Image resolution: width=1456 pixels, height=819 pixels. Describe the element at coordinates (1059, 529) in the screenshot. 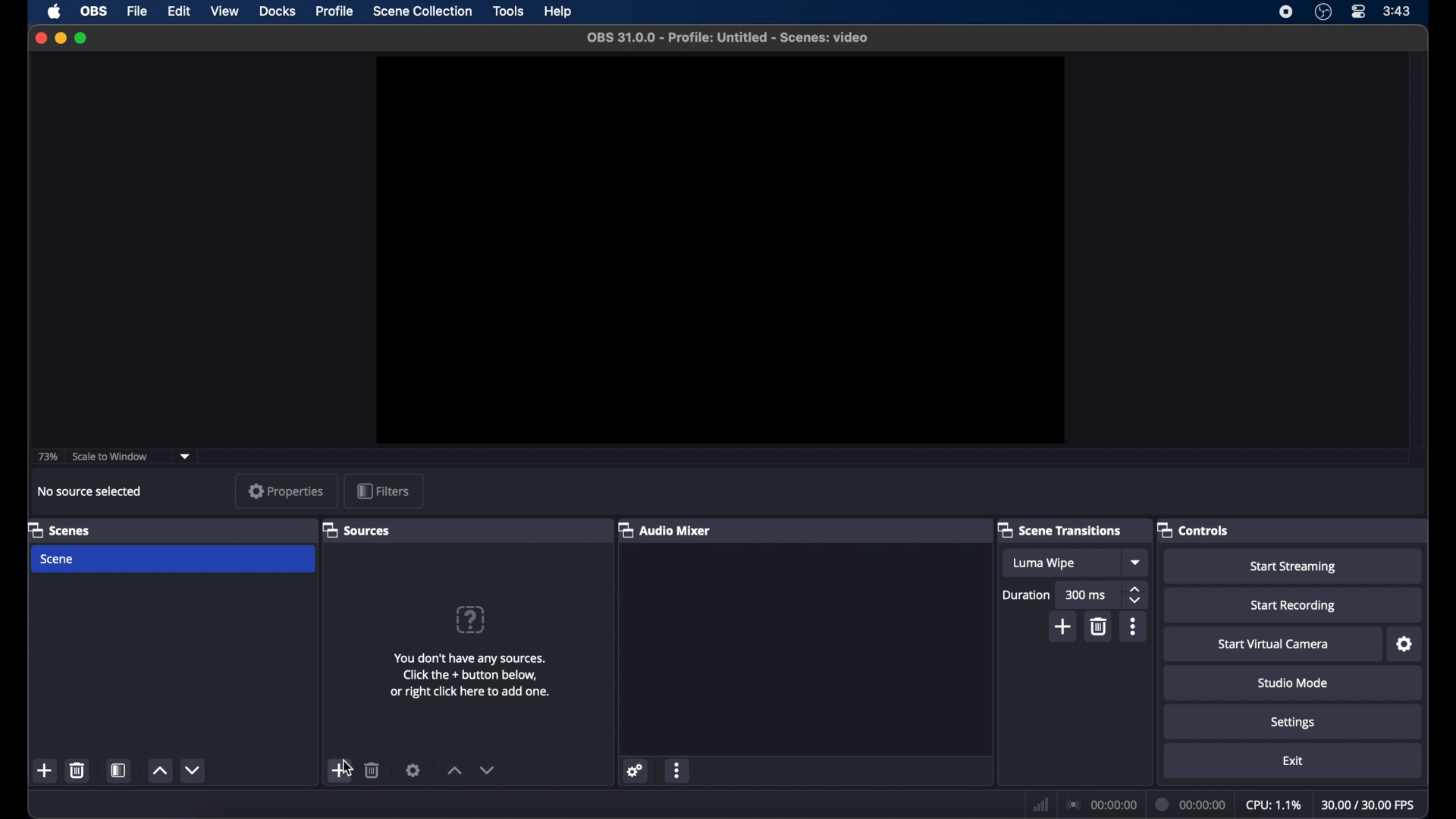

I see `scene transitions` at that location.